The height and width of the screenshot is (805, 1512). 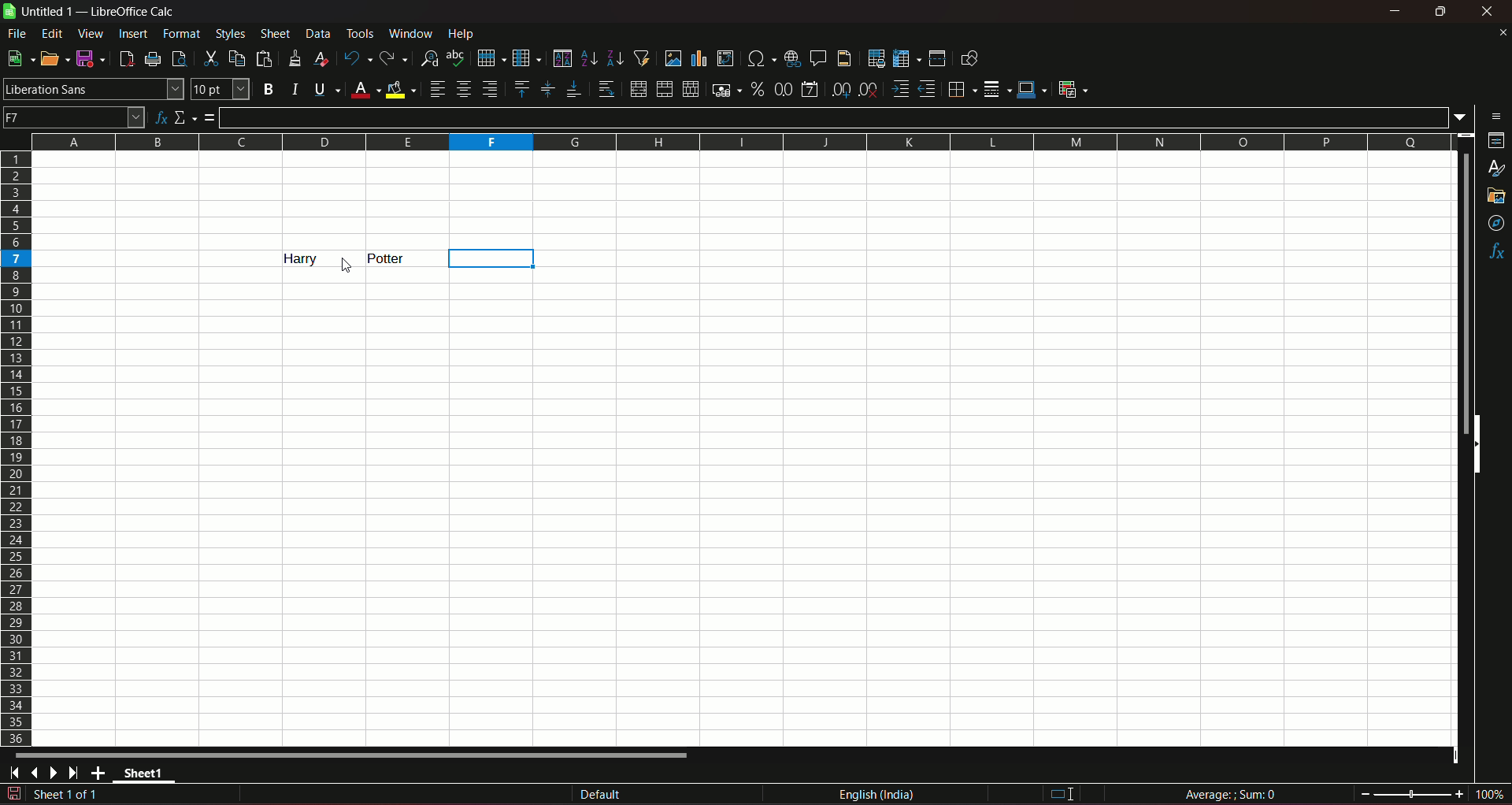 I want to click on clear direct formatting, so click(x=324, y=58).